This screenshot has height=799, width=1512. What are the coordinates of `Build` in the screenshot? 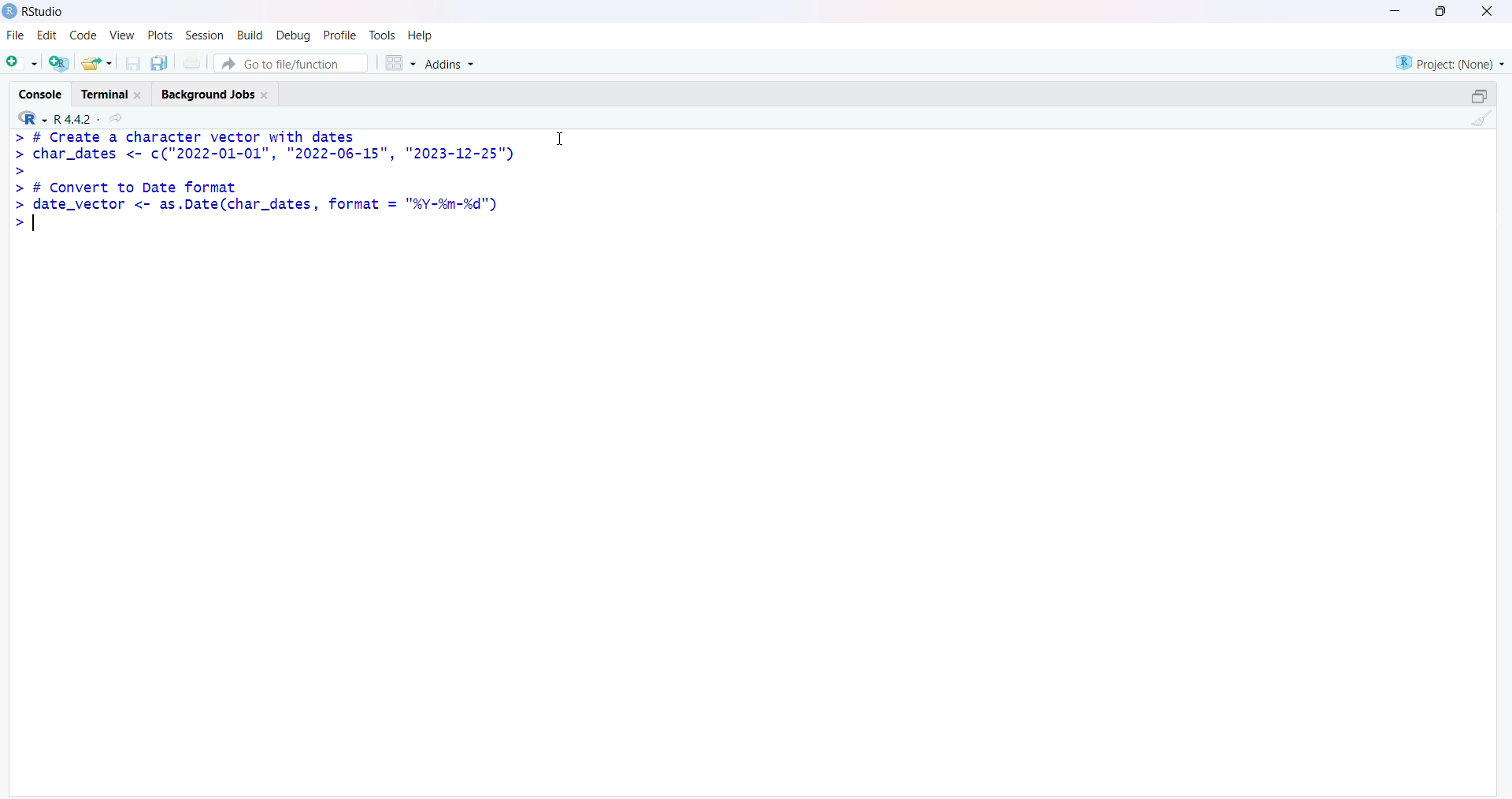 It's located at (246, 36).